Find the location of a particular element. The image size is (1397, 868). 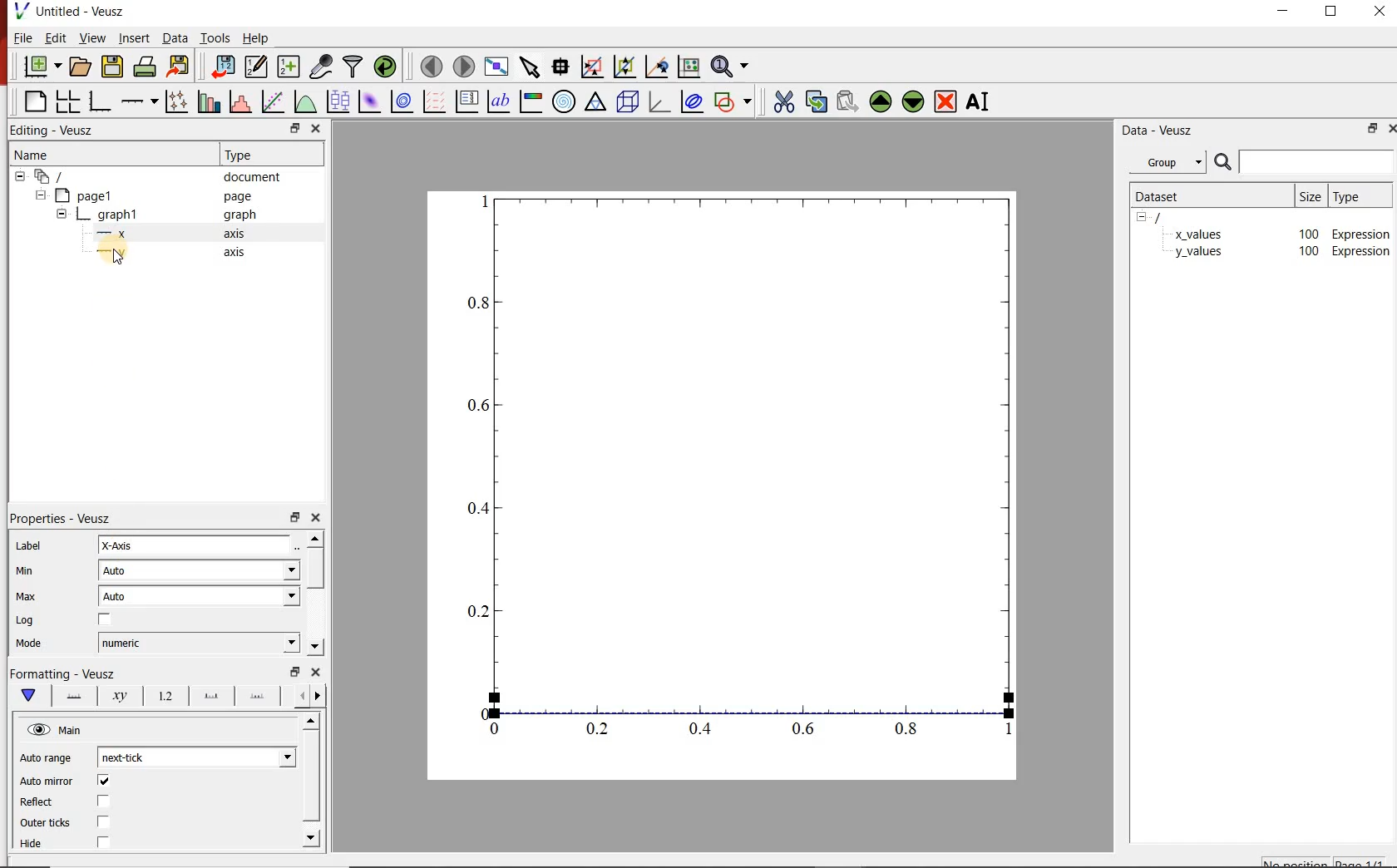

click to reset graph axes is located at coordinates (688, 67).